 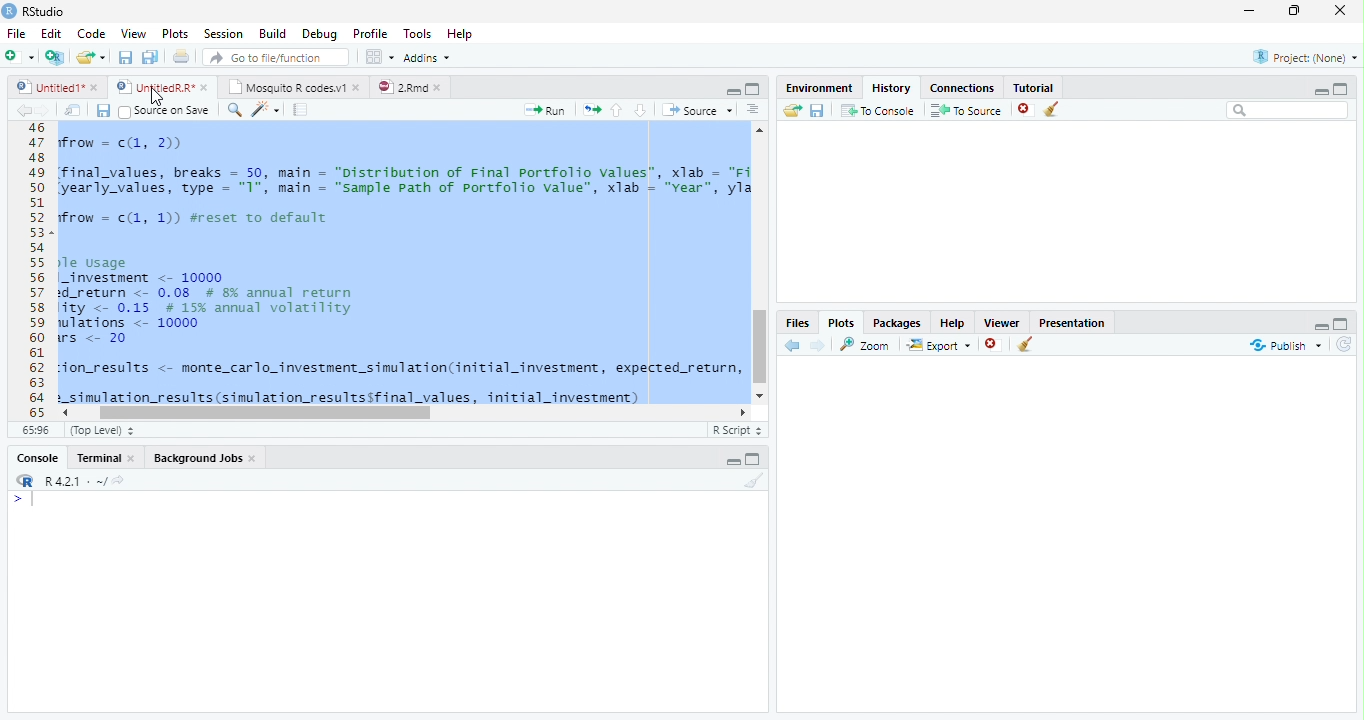 I want to click on Go to previous plot, so click(x=793, y=345).